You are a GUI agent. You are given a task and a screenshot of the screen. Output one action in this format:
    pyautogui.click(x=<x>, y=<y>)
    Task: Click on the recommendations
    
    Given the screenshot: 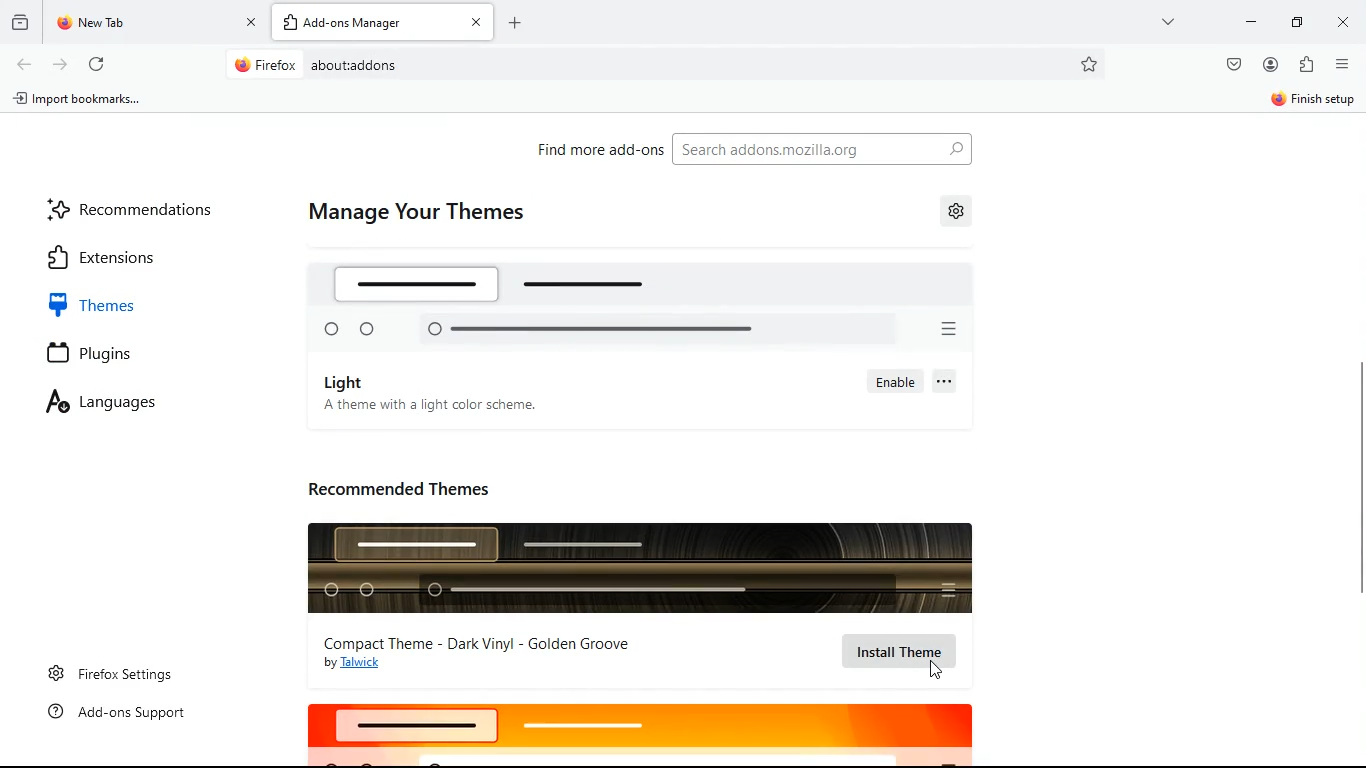 What is the action you would take?
    pyautogui.click(x=136, y=208)
    